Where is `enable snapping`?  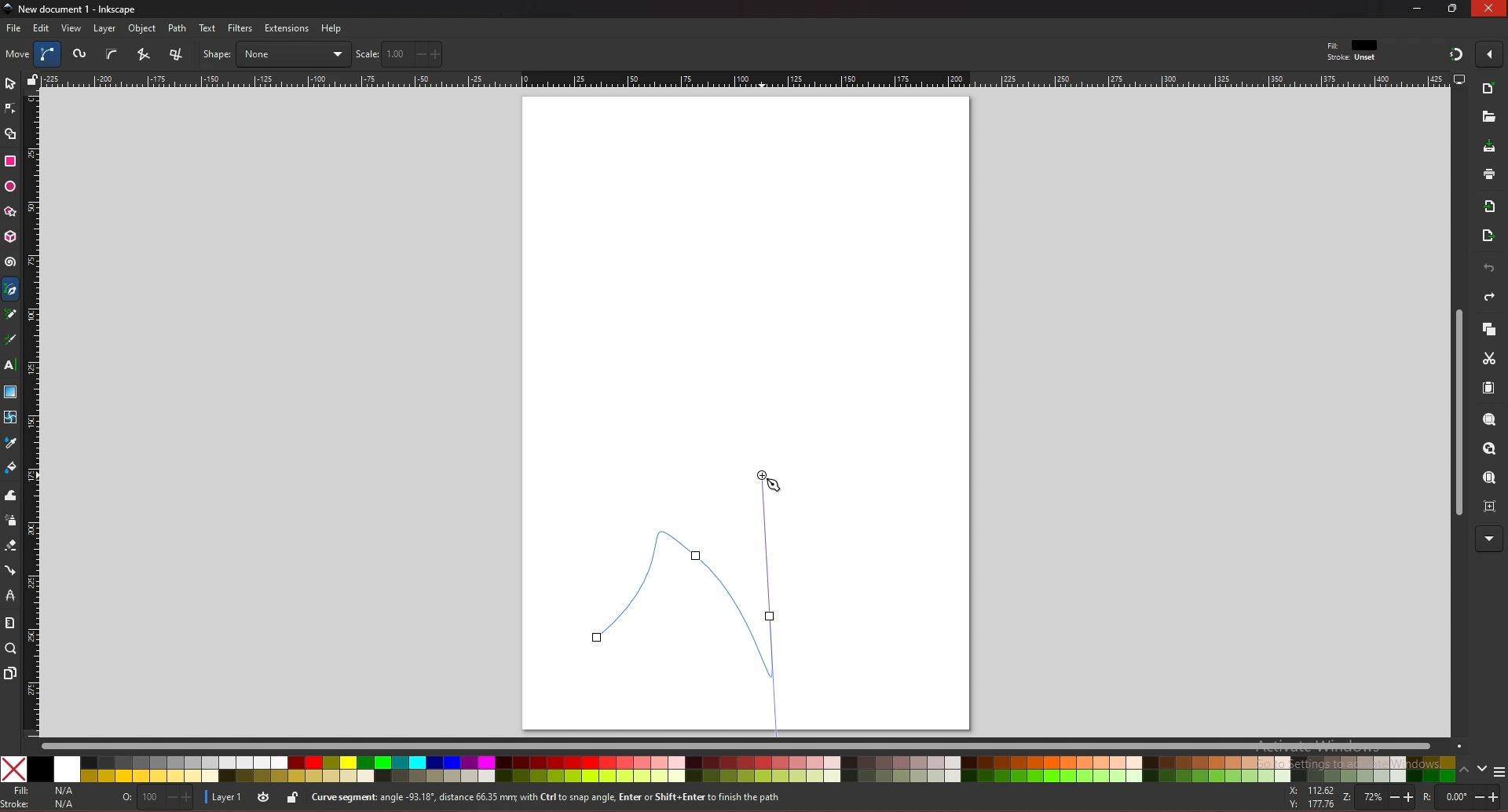 enable snapping is located at coordinates (1489, 53).